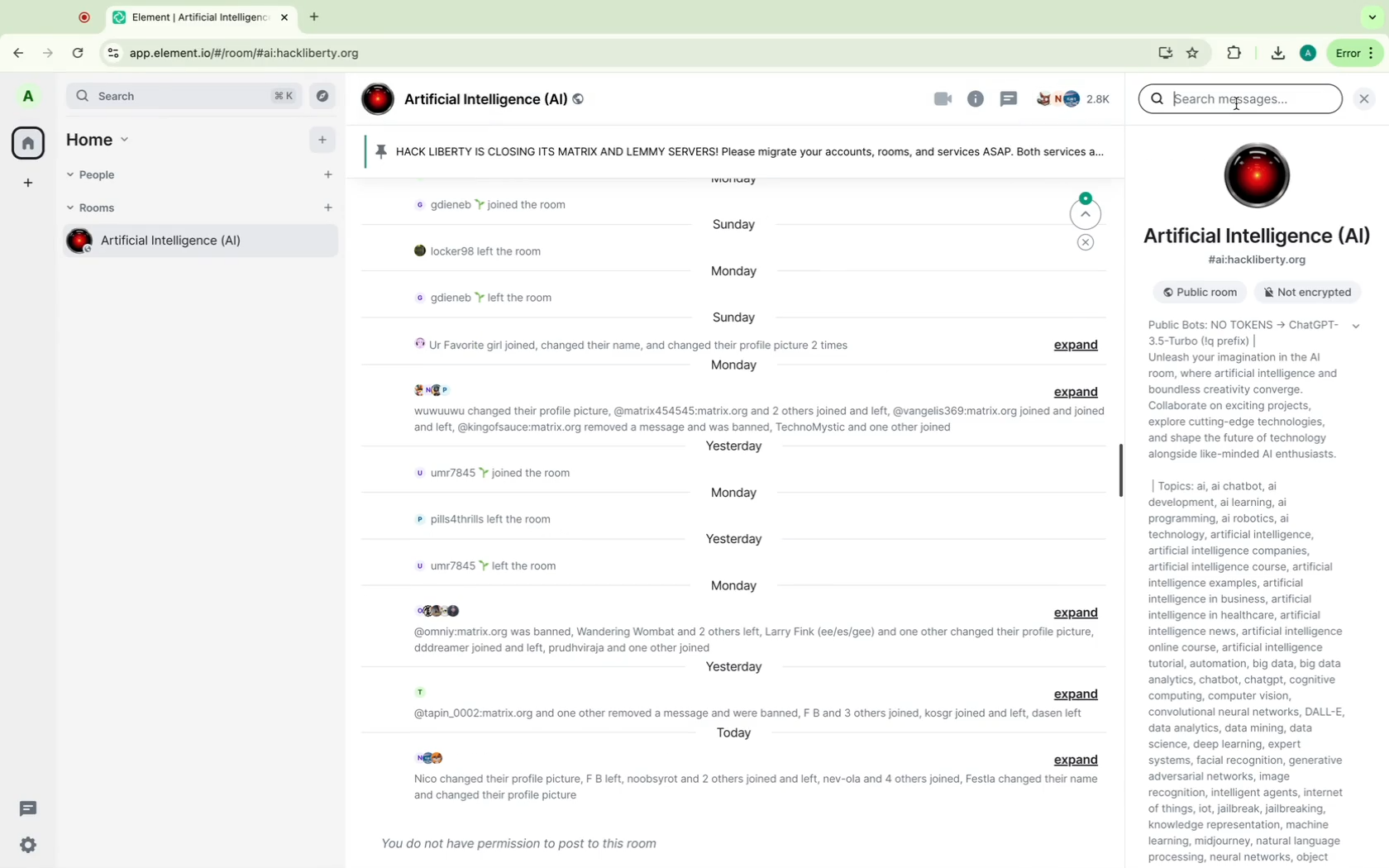 This screenshot has height=868, width=1389. Describe the element at coordinates (976, 98) in the screenshot. I see `room info` at that location.